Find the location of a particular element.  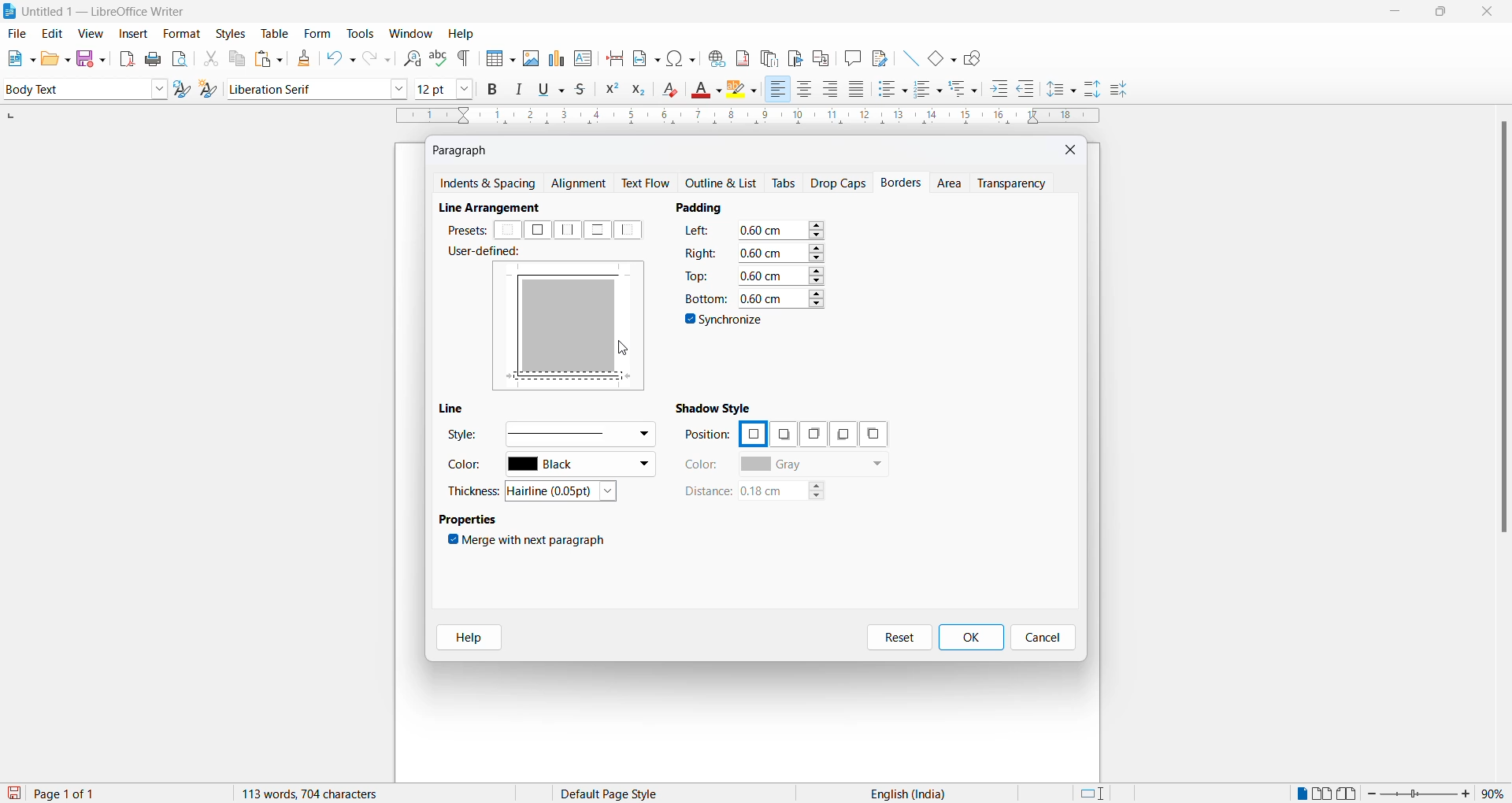

insert special character is located at coordinates (680, 56).